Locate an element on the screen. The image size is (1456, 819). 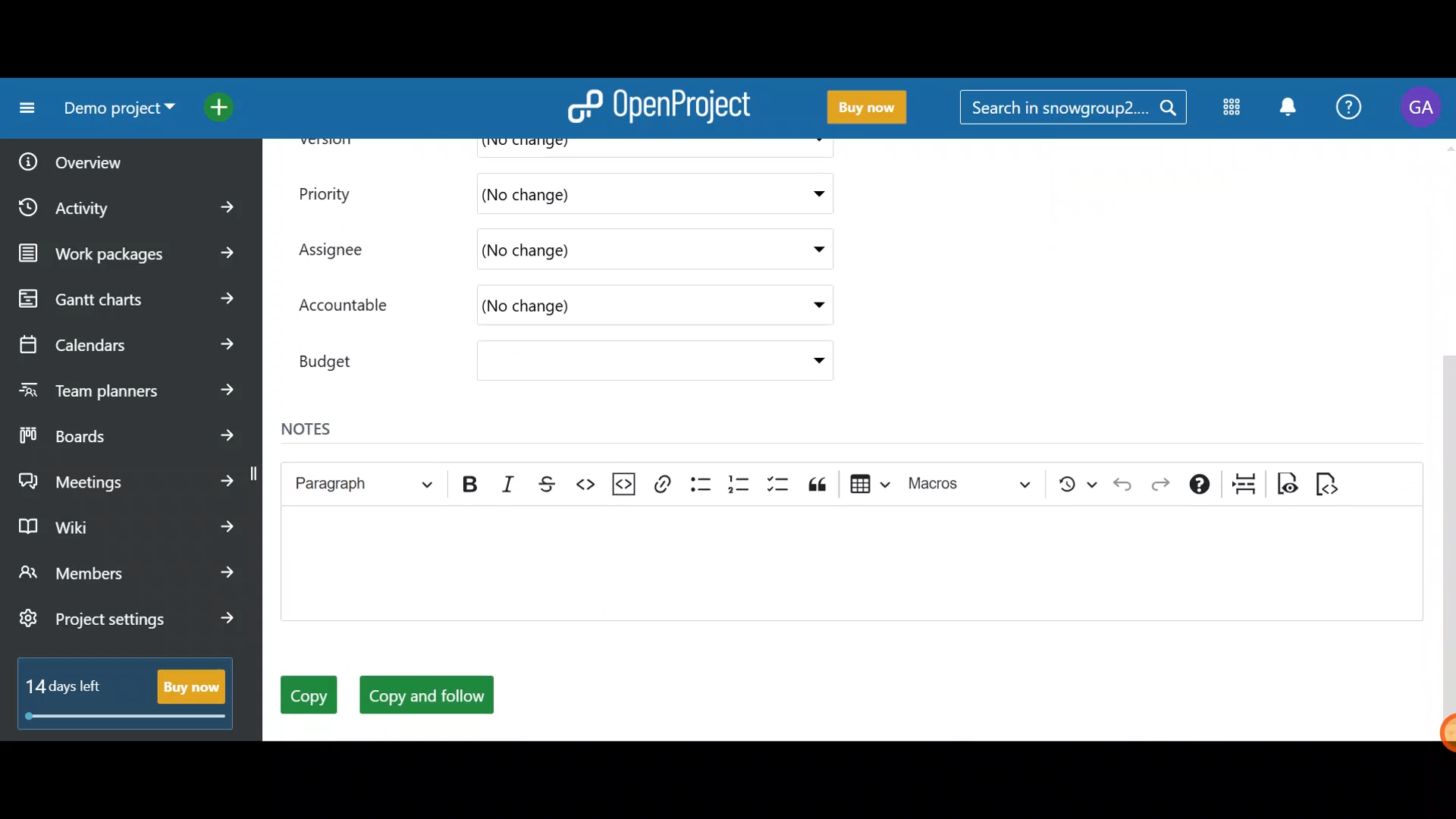
Assignee is located at coordinates (340, 250).